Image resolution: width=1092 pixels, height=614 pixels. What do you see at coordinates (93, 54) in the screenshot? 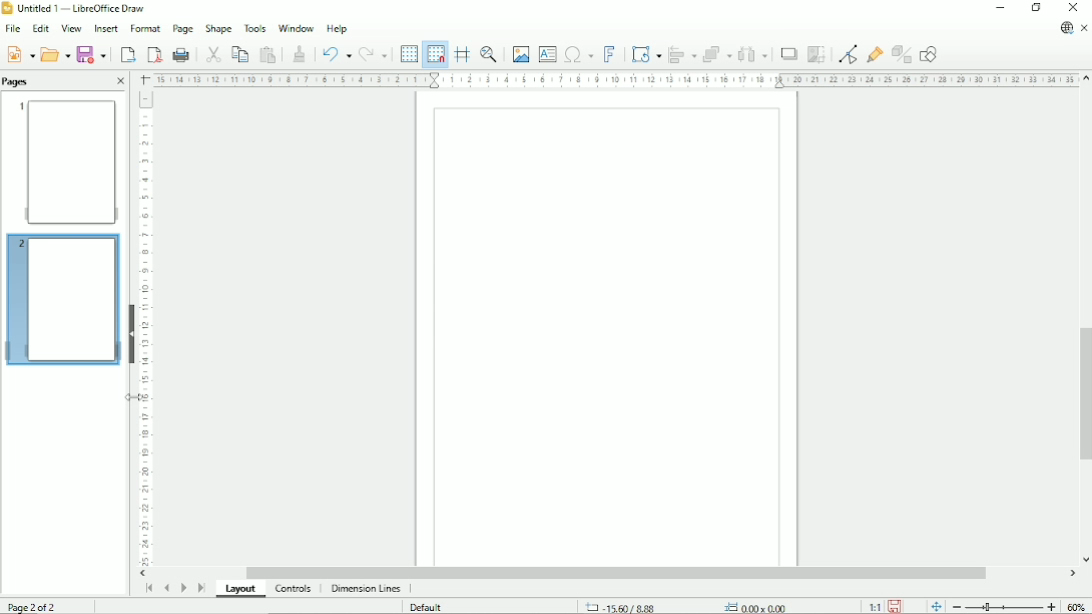
I see `Save` at bounding box center [93, 54].